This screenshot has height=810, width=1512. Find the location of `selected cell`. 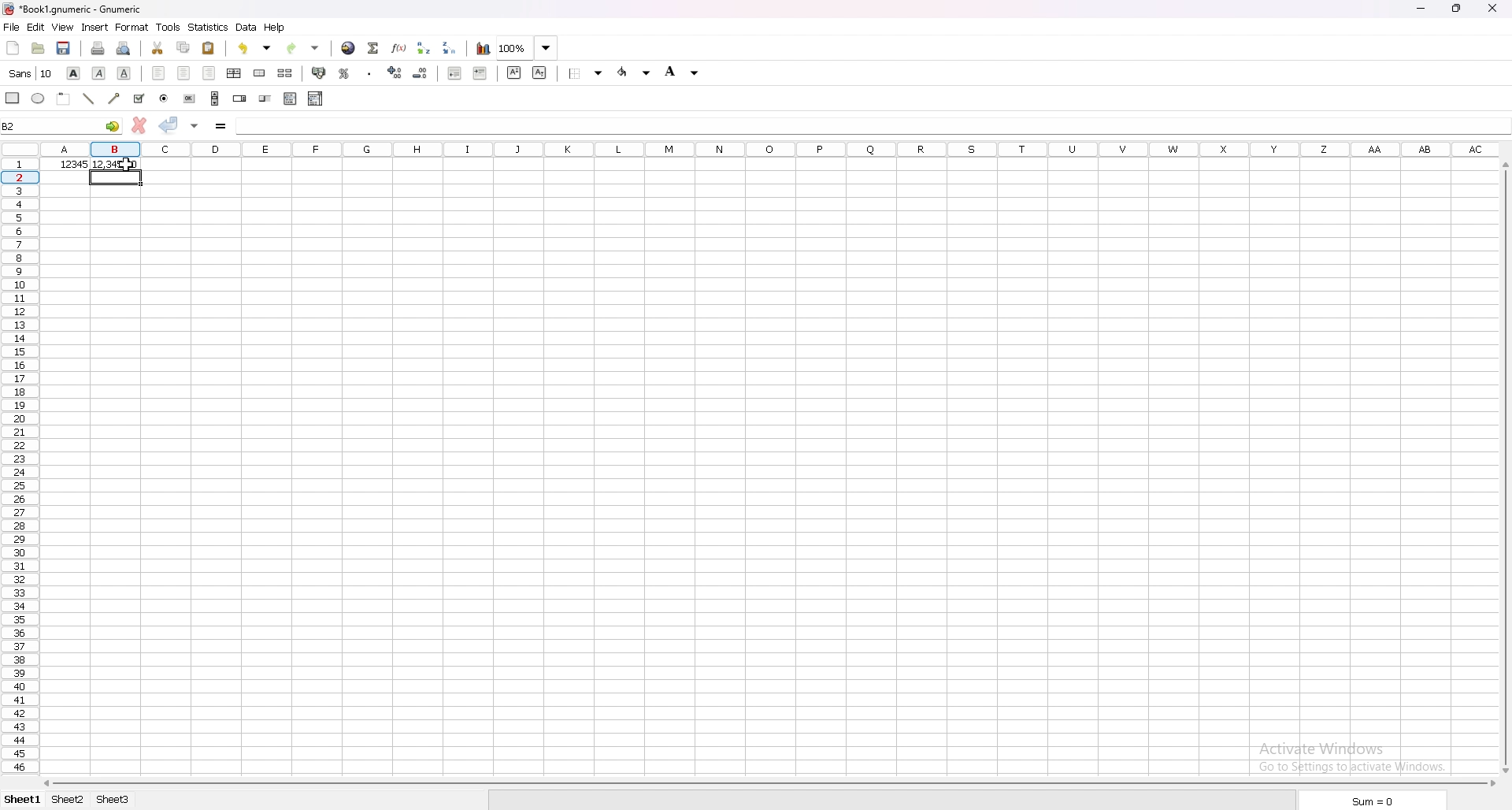

selected cell is located at coordinates (18, 127).